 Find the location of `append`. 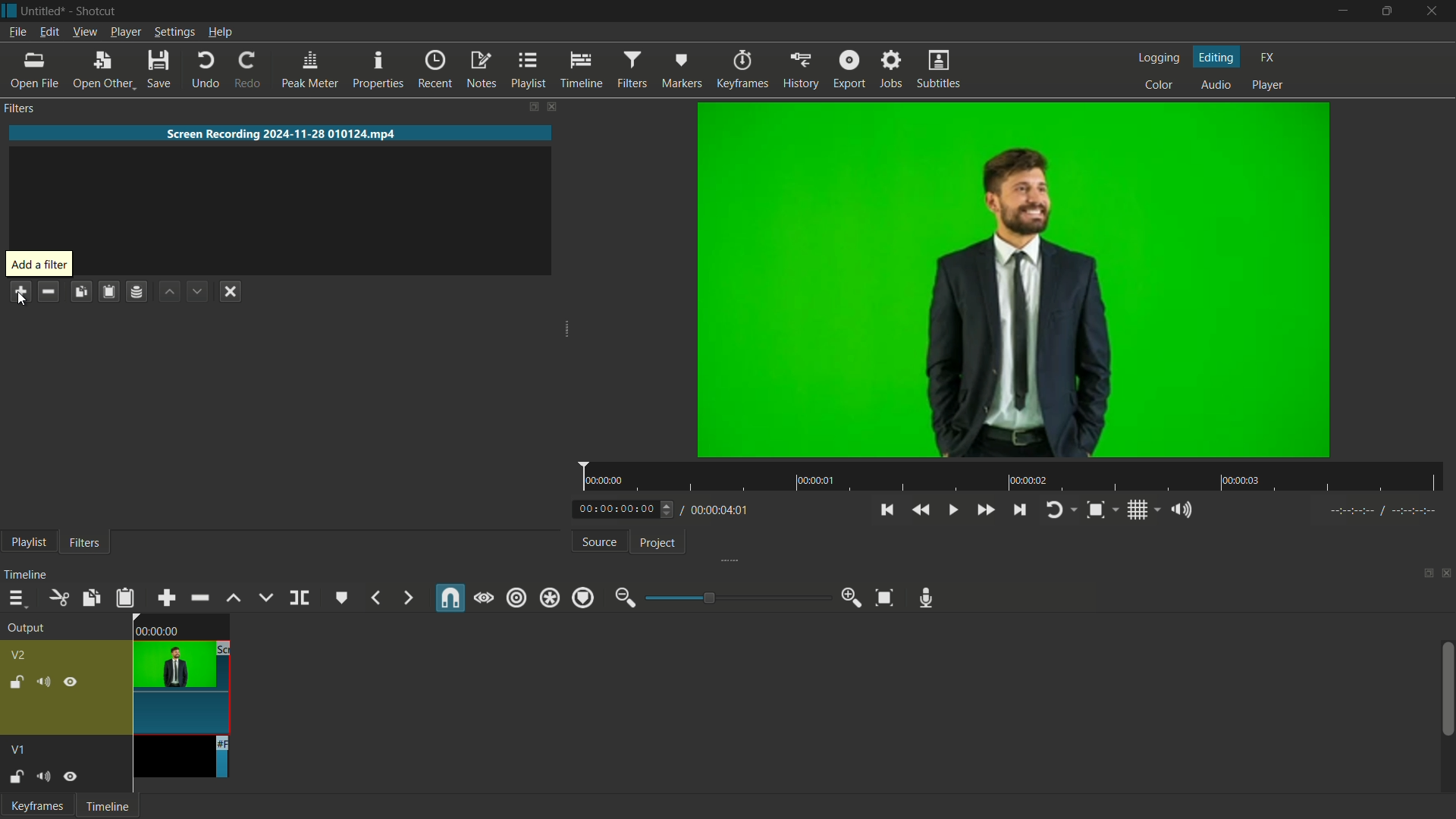

append is located at coordinates (167, 598).